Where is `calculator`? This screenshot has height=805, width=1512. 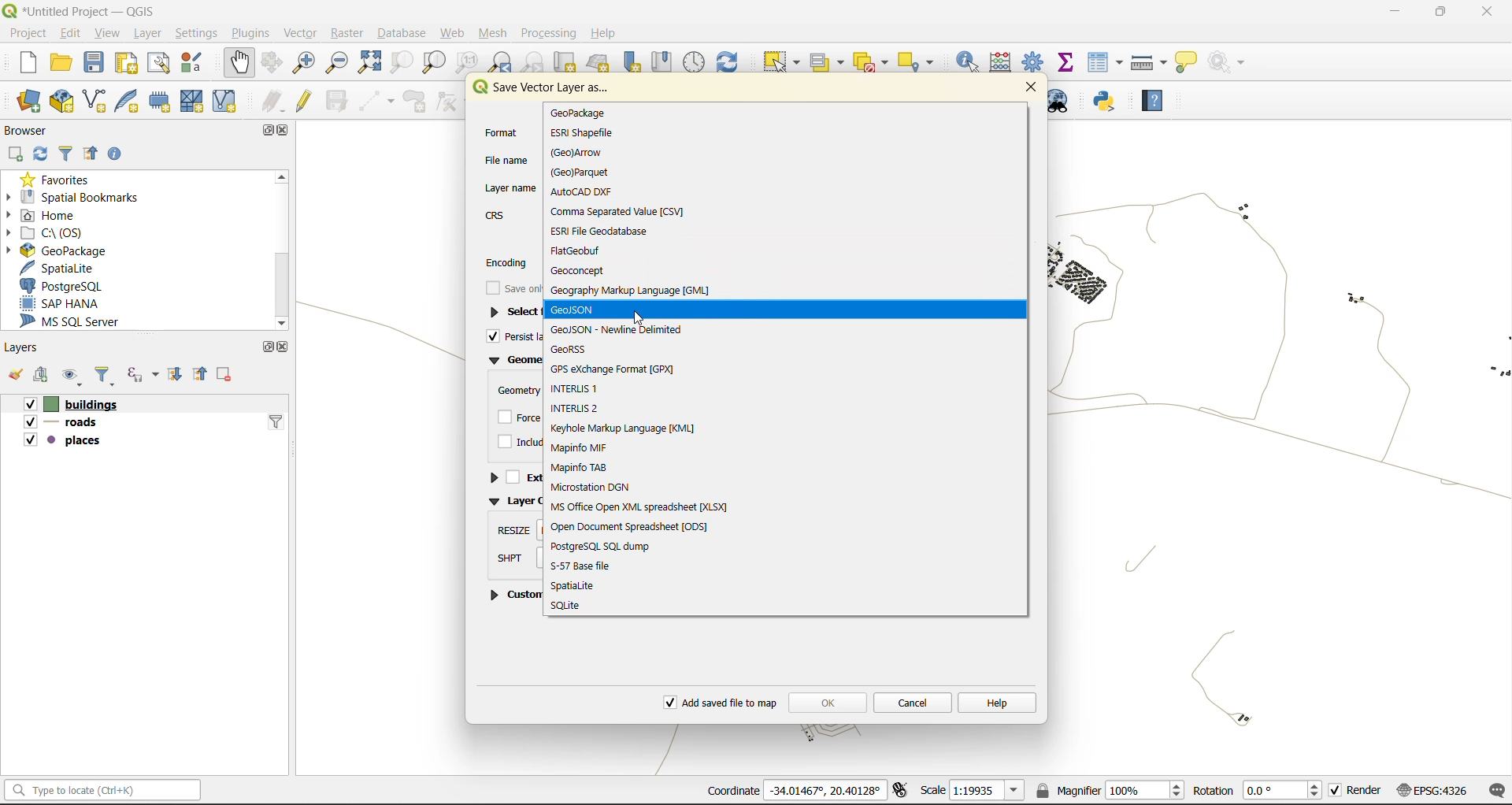
calculator is located at coordinates (1005, 62).